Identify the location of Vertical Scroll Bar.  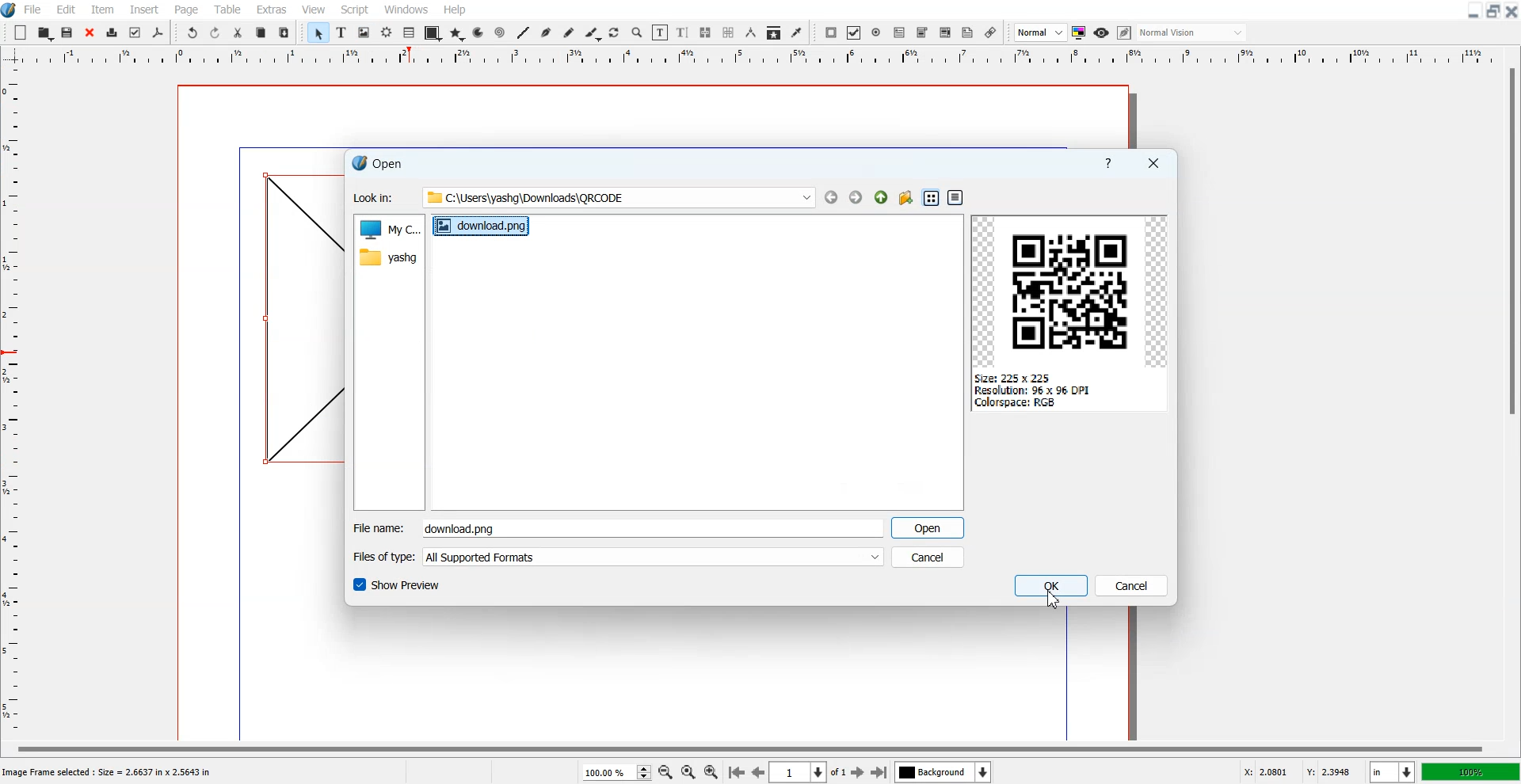
(1510, 401).